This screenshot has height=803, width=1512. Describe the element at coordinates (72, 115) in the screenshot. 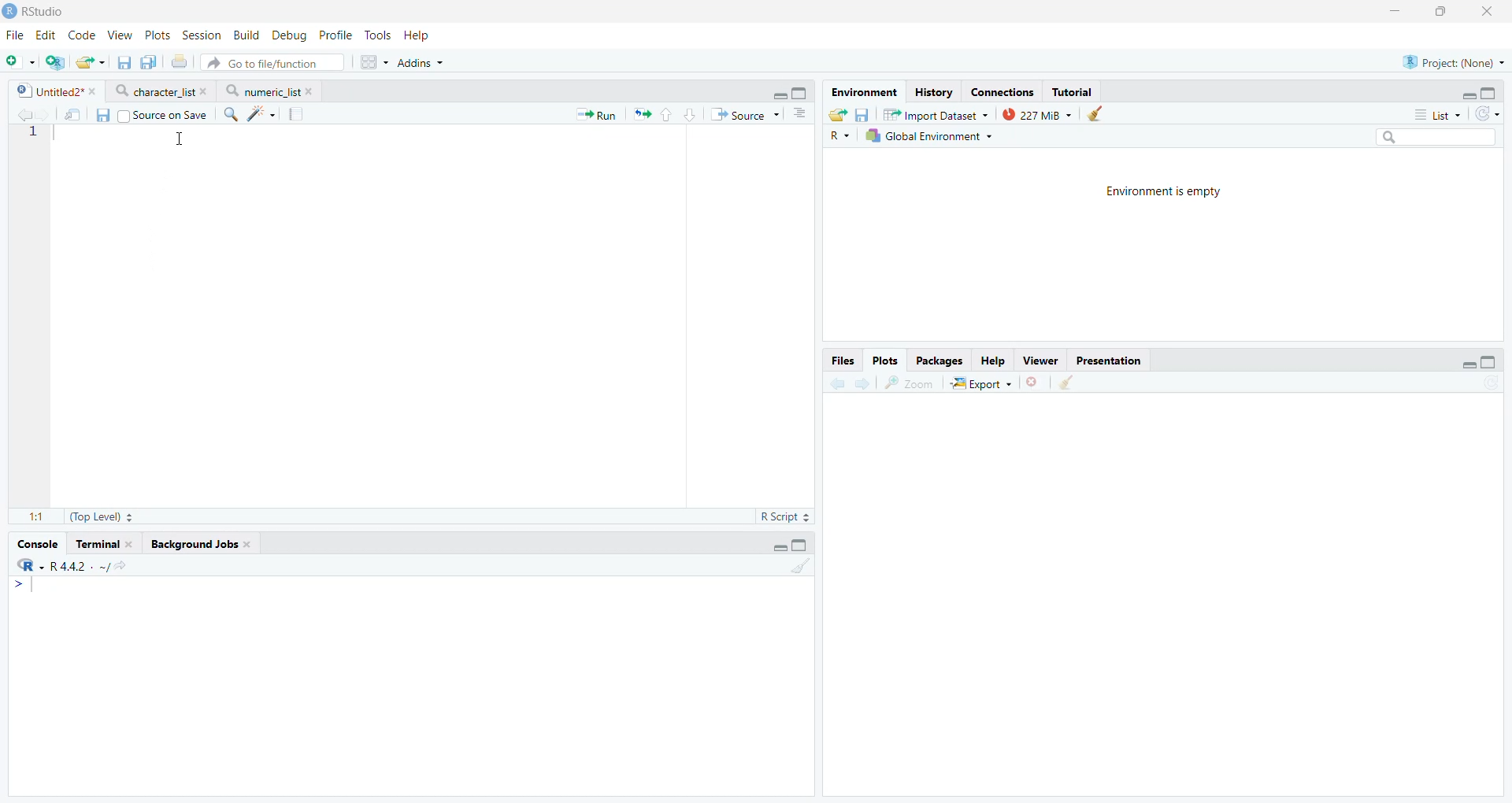

I see `Open in new window` at that location.